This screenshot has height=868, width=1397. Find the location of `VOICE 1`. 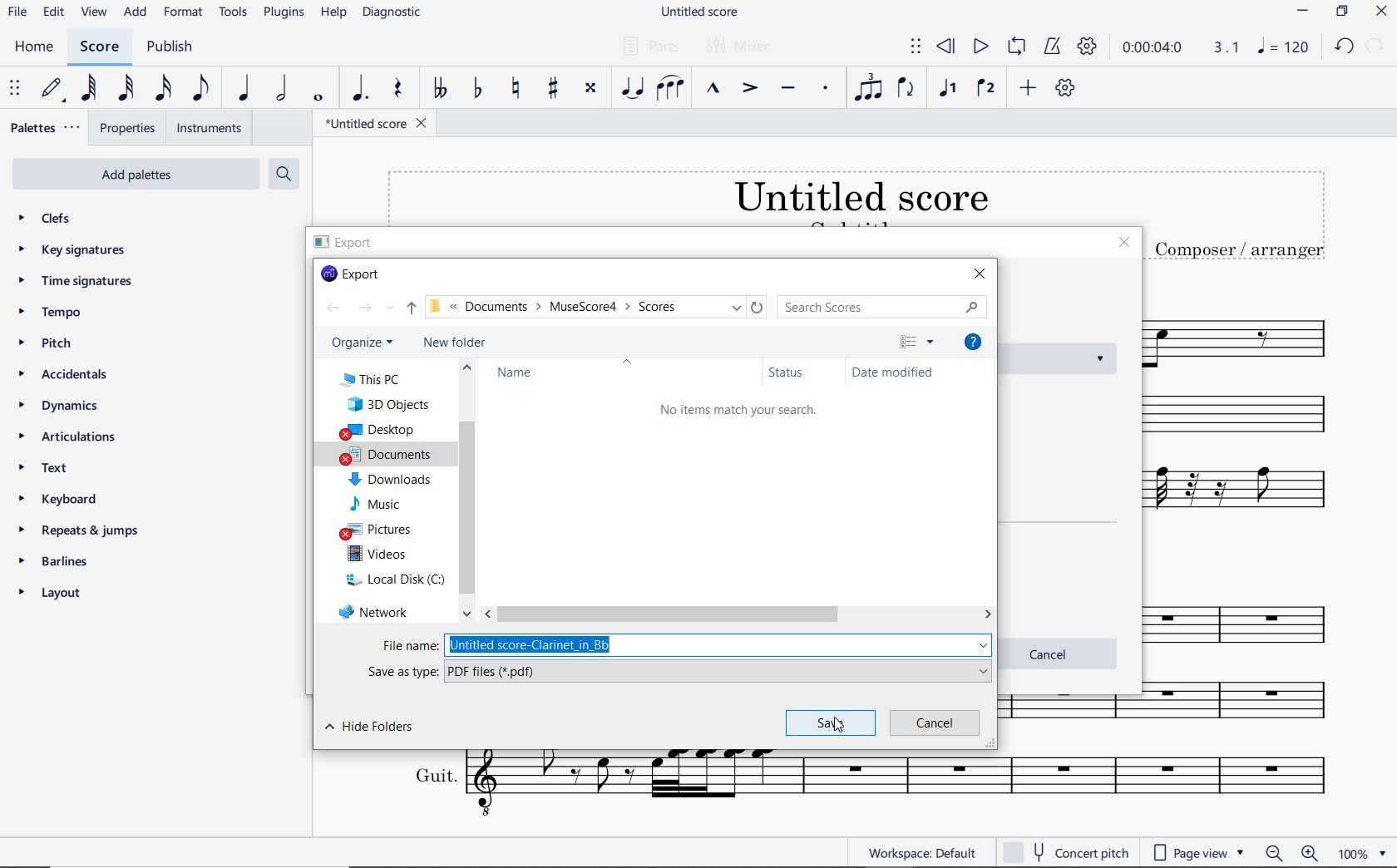

VOICE 1 is located at coordinates (949, 89).